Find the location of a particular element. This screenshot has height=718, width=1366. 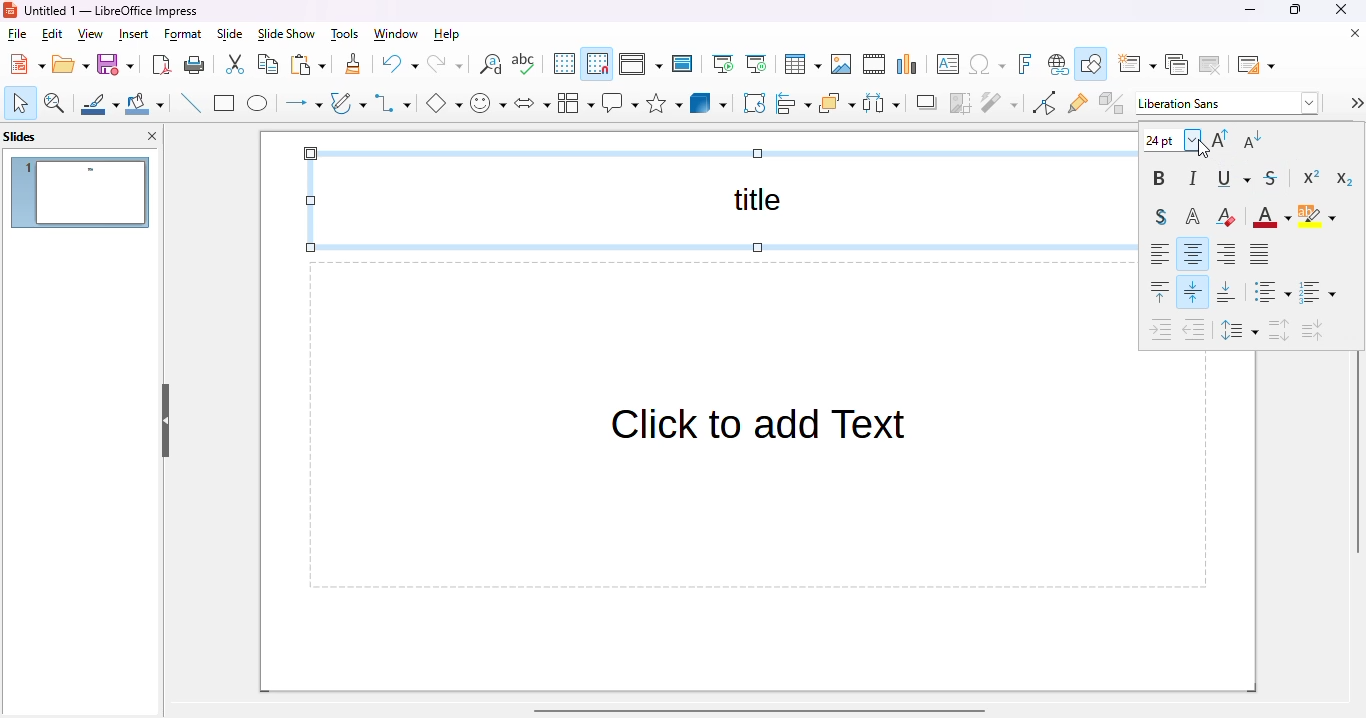

export directly as PDF is located at coordinates (163, 65).